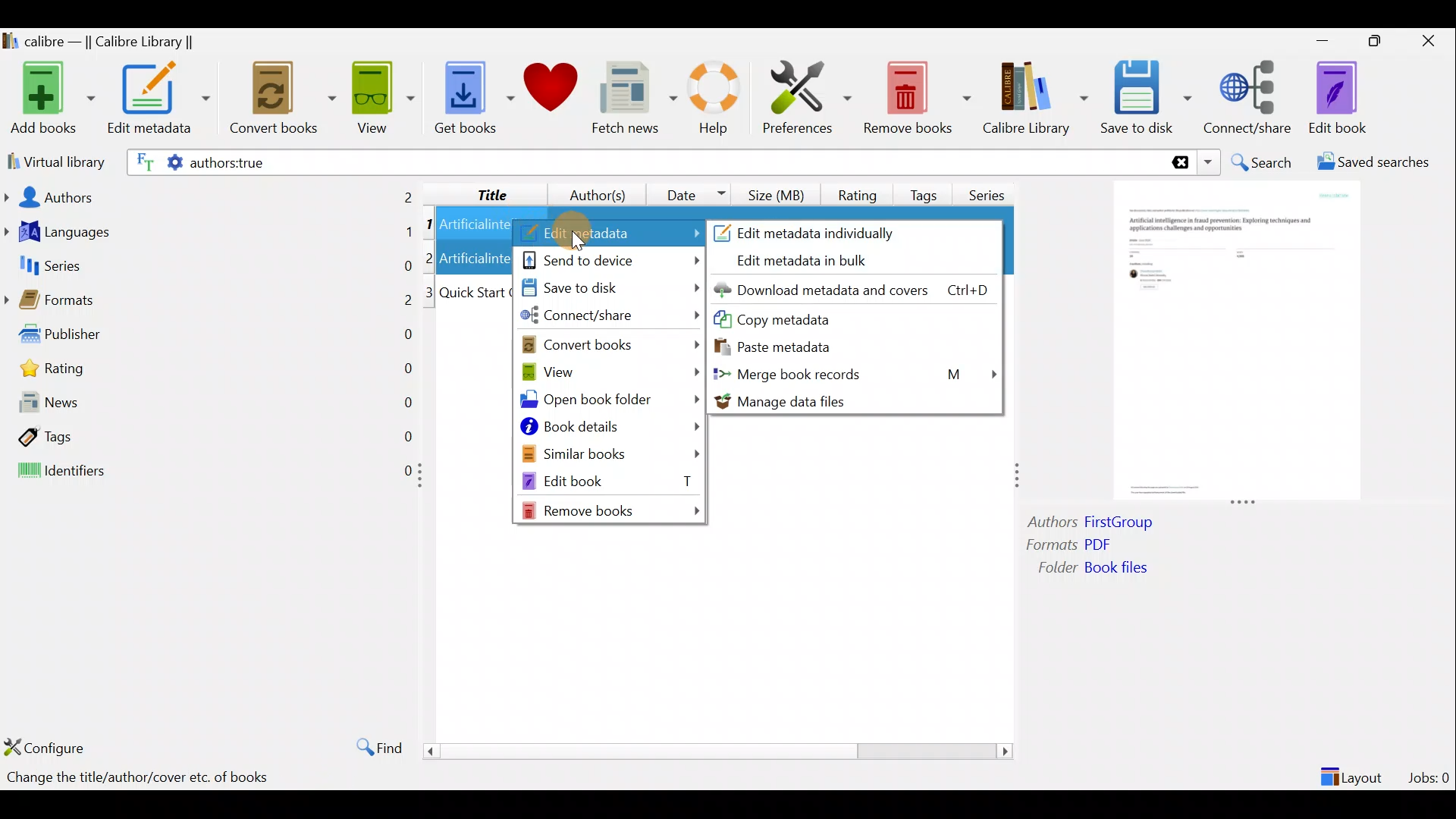 This screenshot has width=1456, height=819. I want to click on Preview, so click(1232, 343).